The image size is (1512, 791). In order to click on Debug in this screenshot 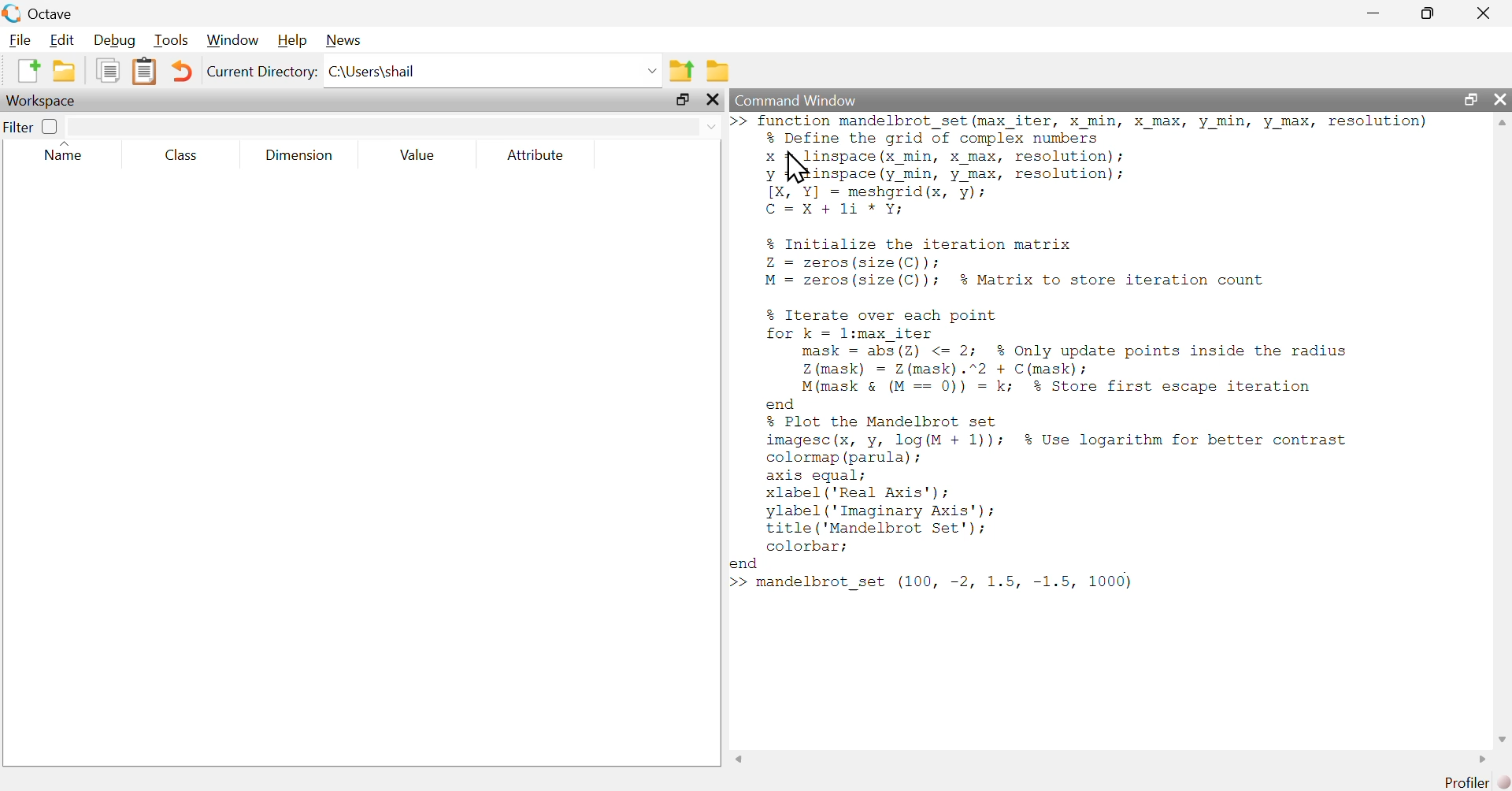, I will do `click(113, 40)`.